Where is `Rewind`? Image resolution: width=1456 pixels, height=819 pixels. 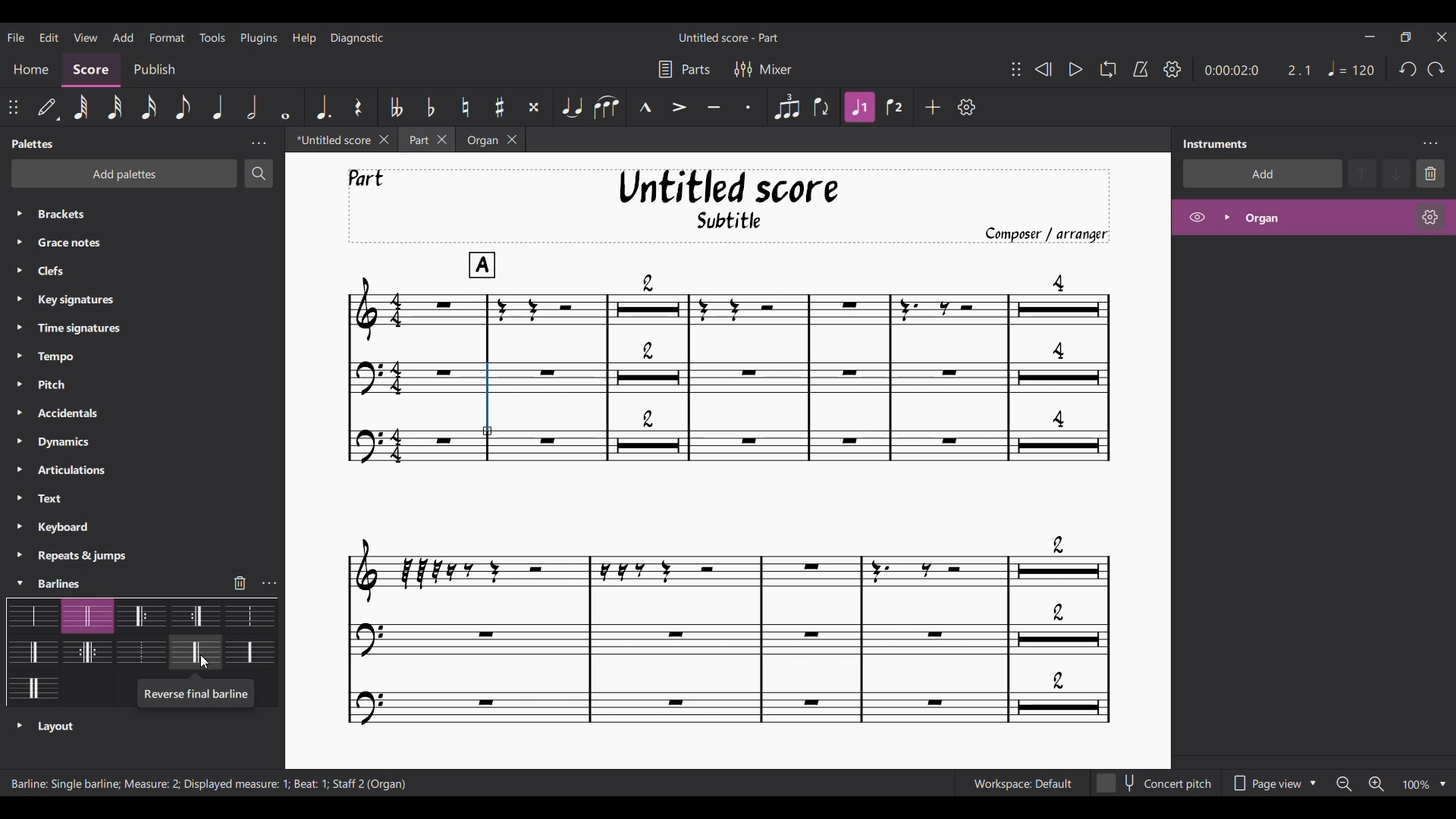
Rewind is located at coordinates (1043, 69).